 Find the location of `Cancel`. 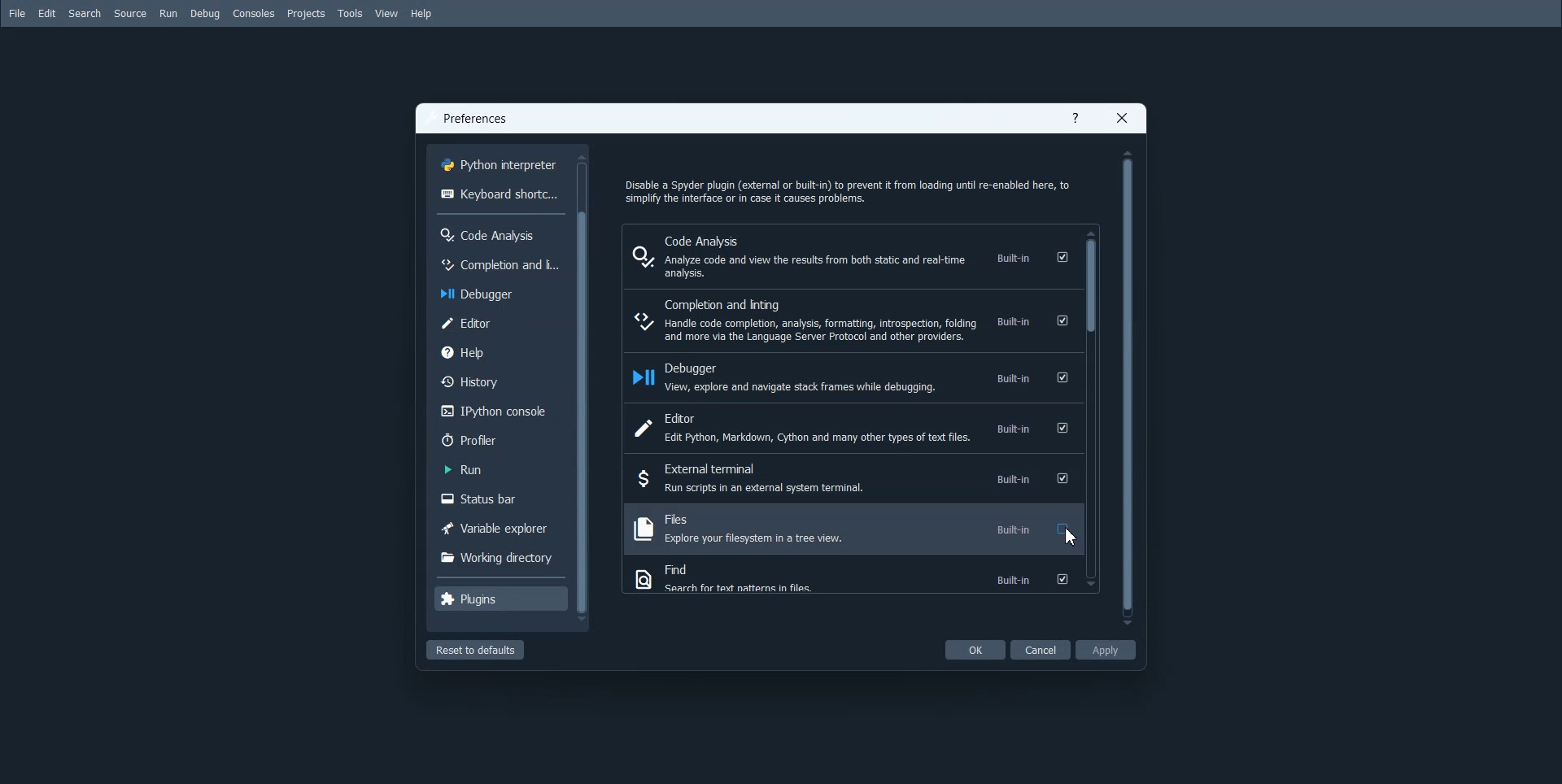

Cancel is located at coordinates (1041, 649).